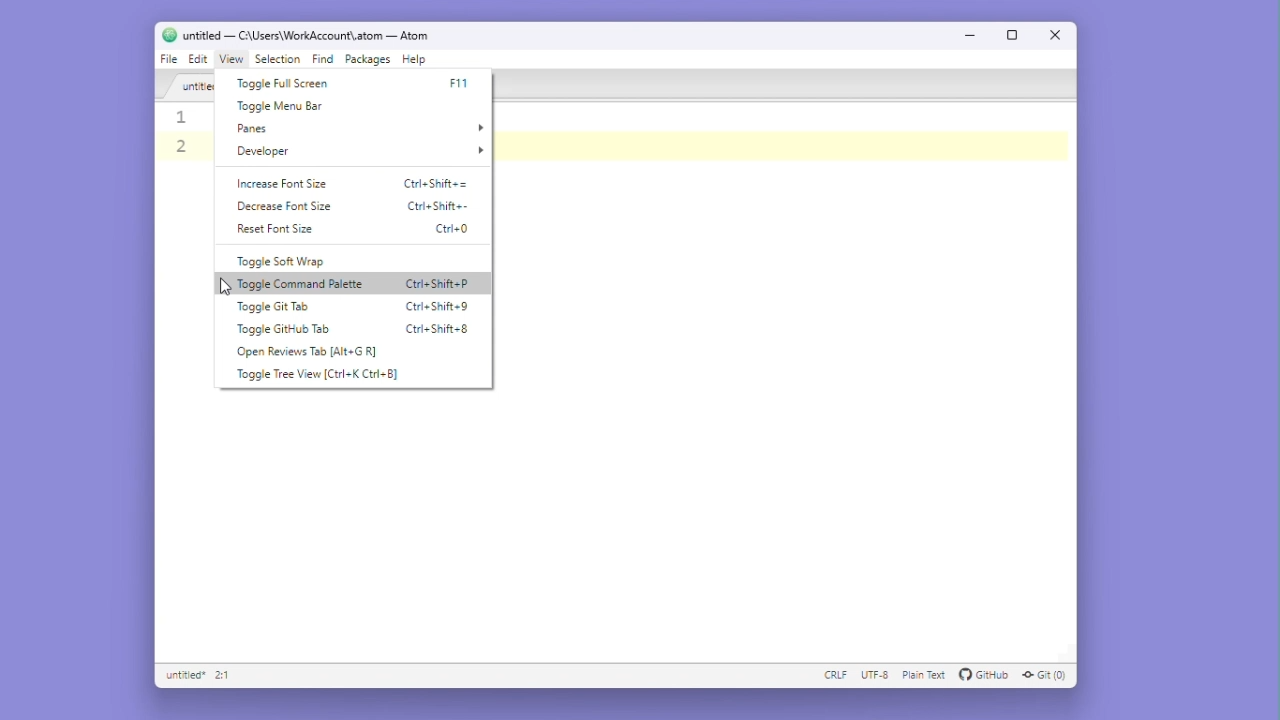 Image resolution: width=1280 pixels, height=720 pixels. I want to click on Selection, so click(280, 61).